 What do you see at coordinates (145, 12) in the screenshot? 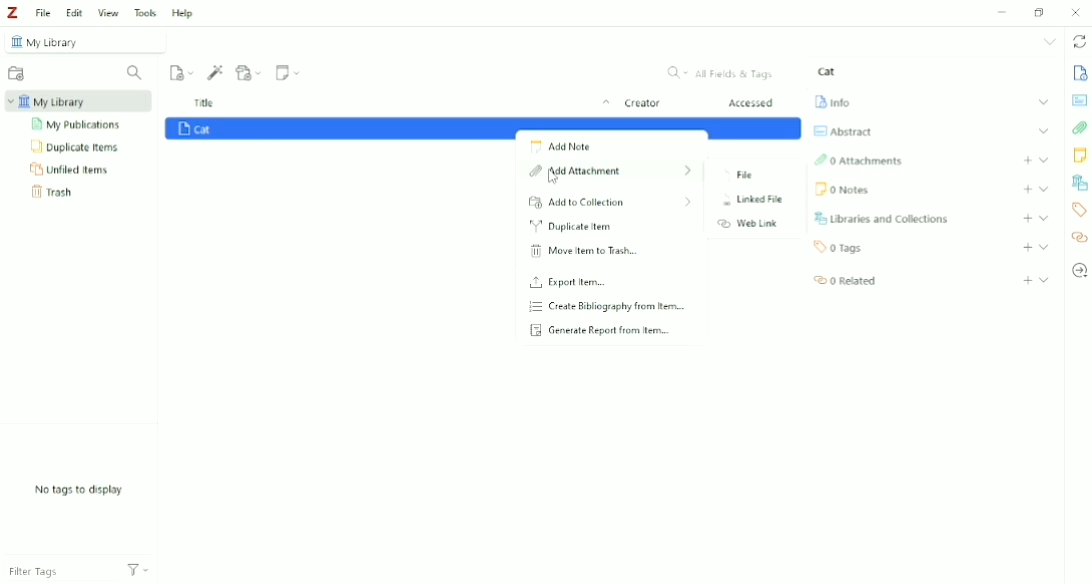
I see `Tools` at bounding box center [145, 12].